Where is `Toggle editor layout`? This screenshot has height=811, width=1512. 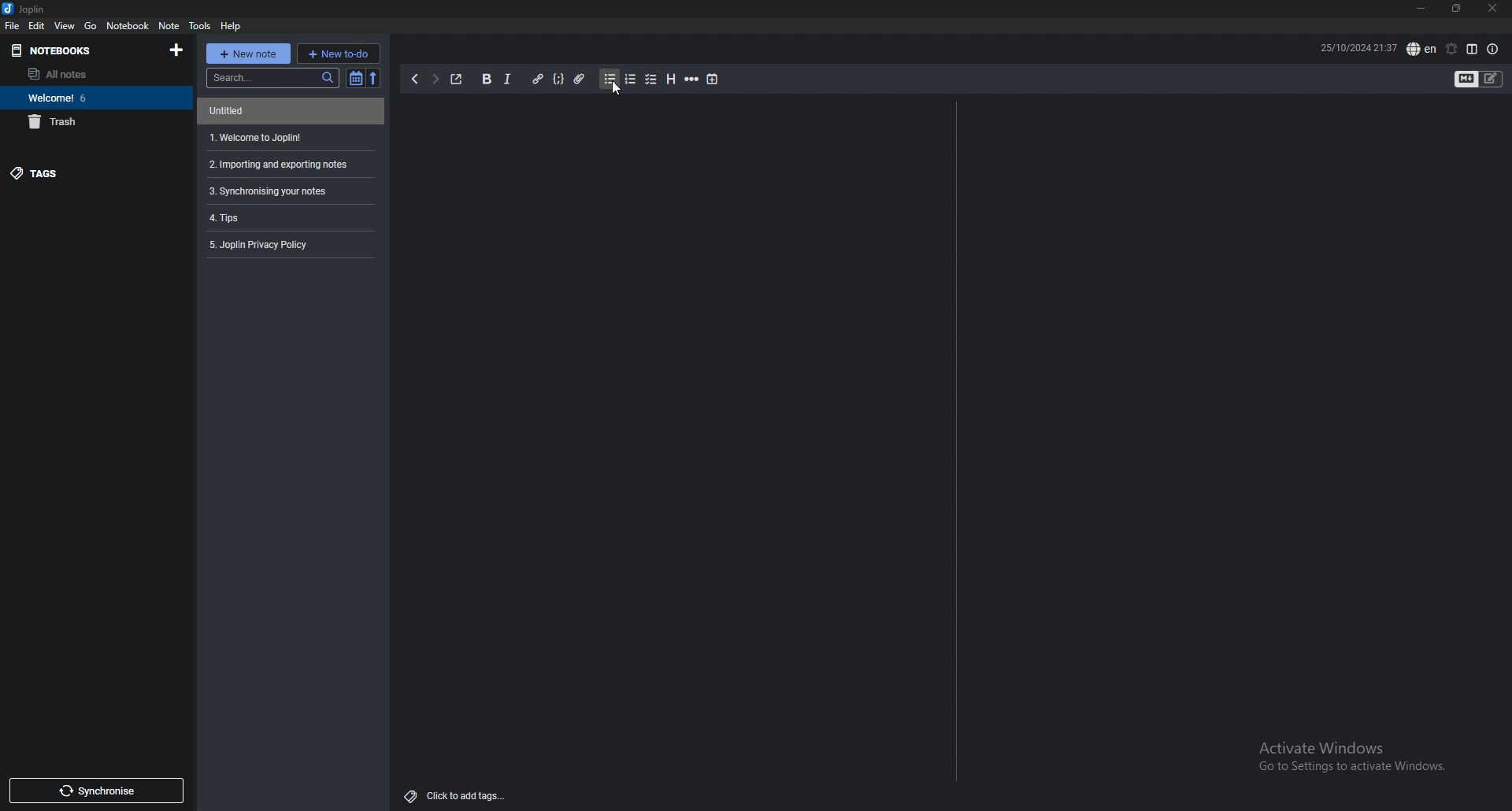 Toggle editor layout is located at coordinates (1473, 50).